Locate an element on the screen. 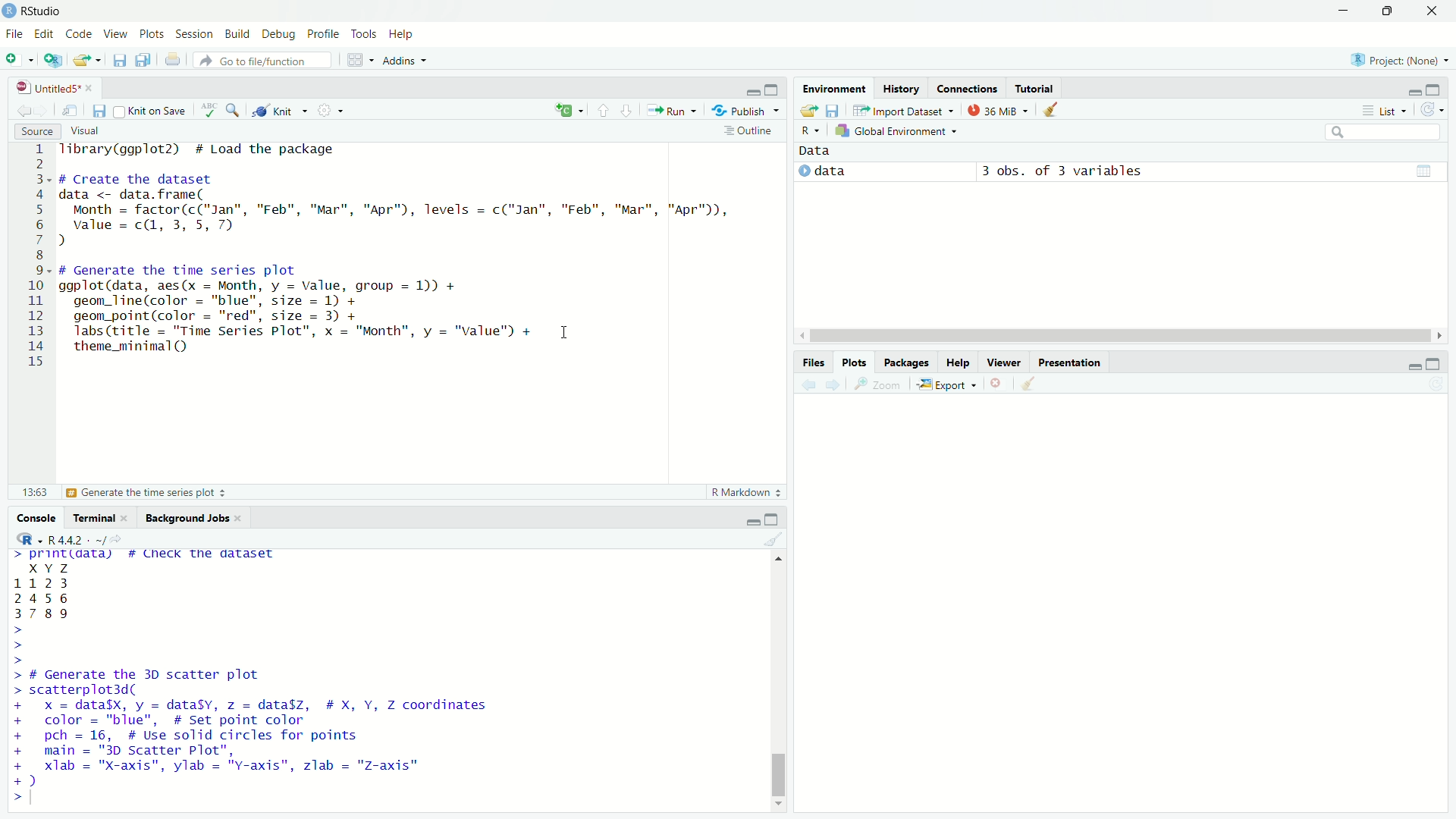 This screenshot has width=1456, height=819. scrollbar is located at coordinates (1118, 335).